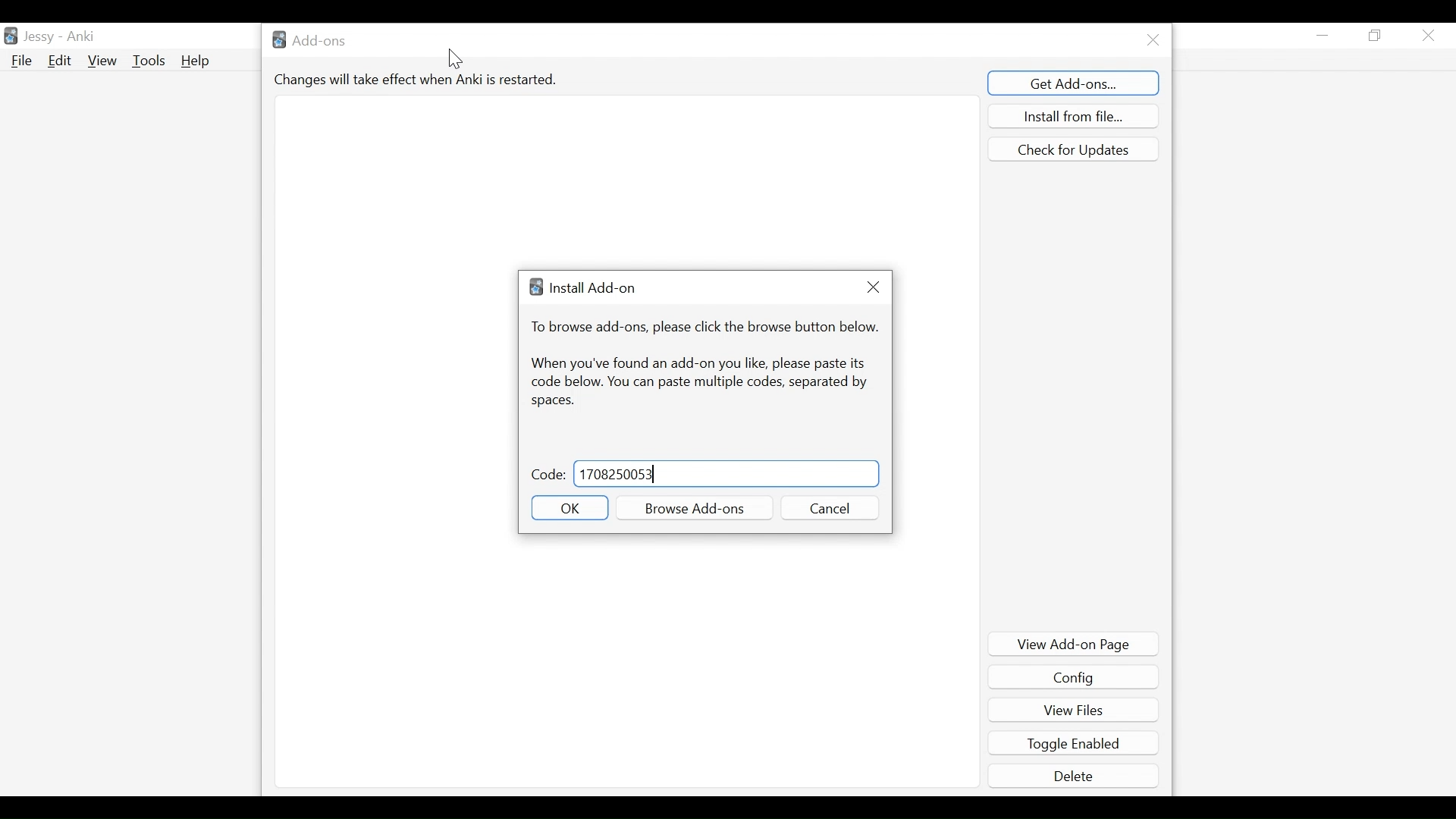  Describe the element at coordinates (1073, 115) in the screenshot. I see `Install from file` at that location.